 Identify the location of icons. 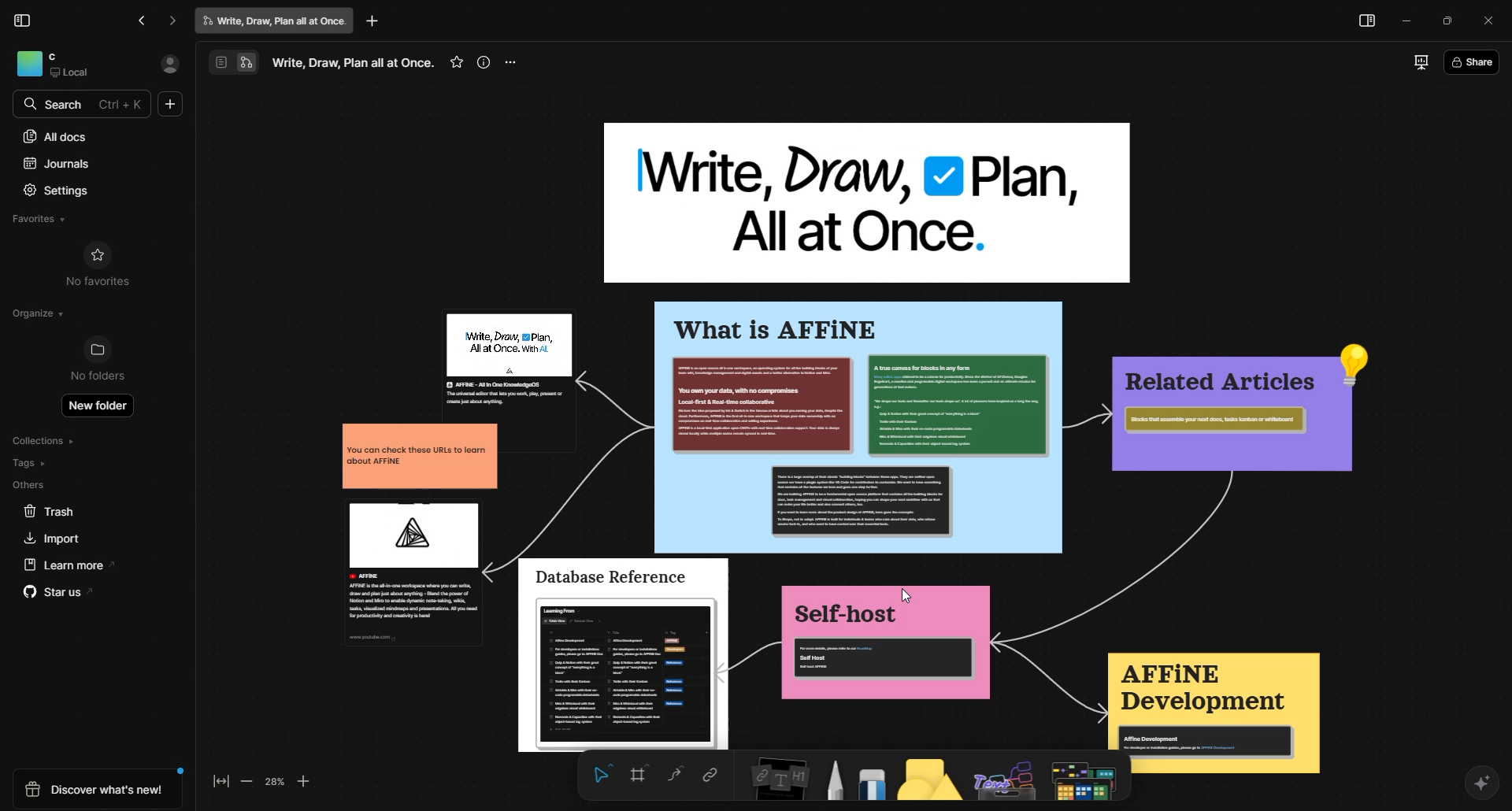
(231, 62).